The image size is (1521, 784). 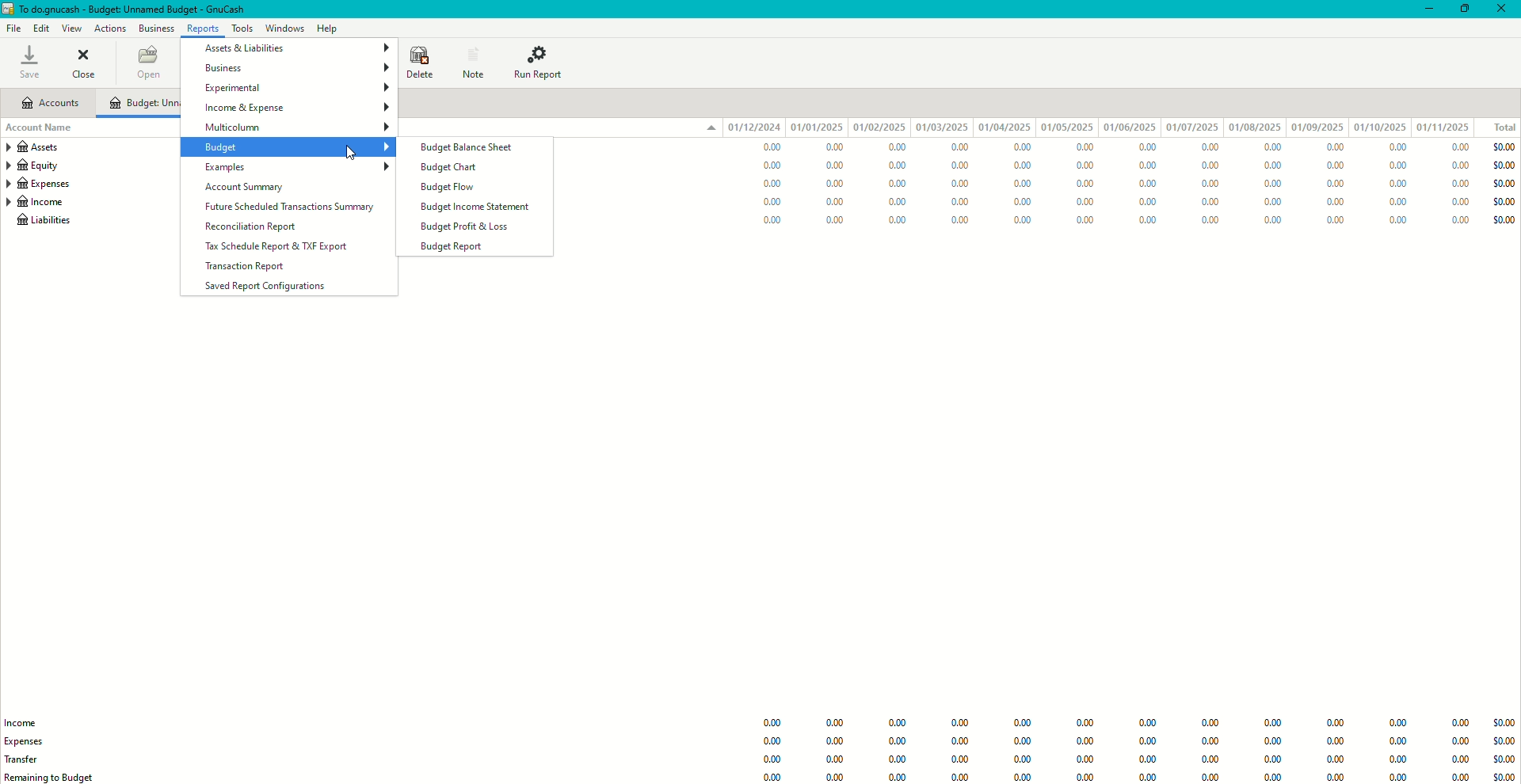 I want to click on 0.00, so click(x=960, y=760).